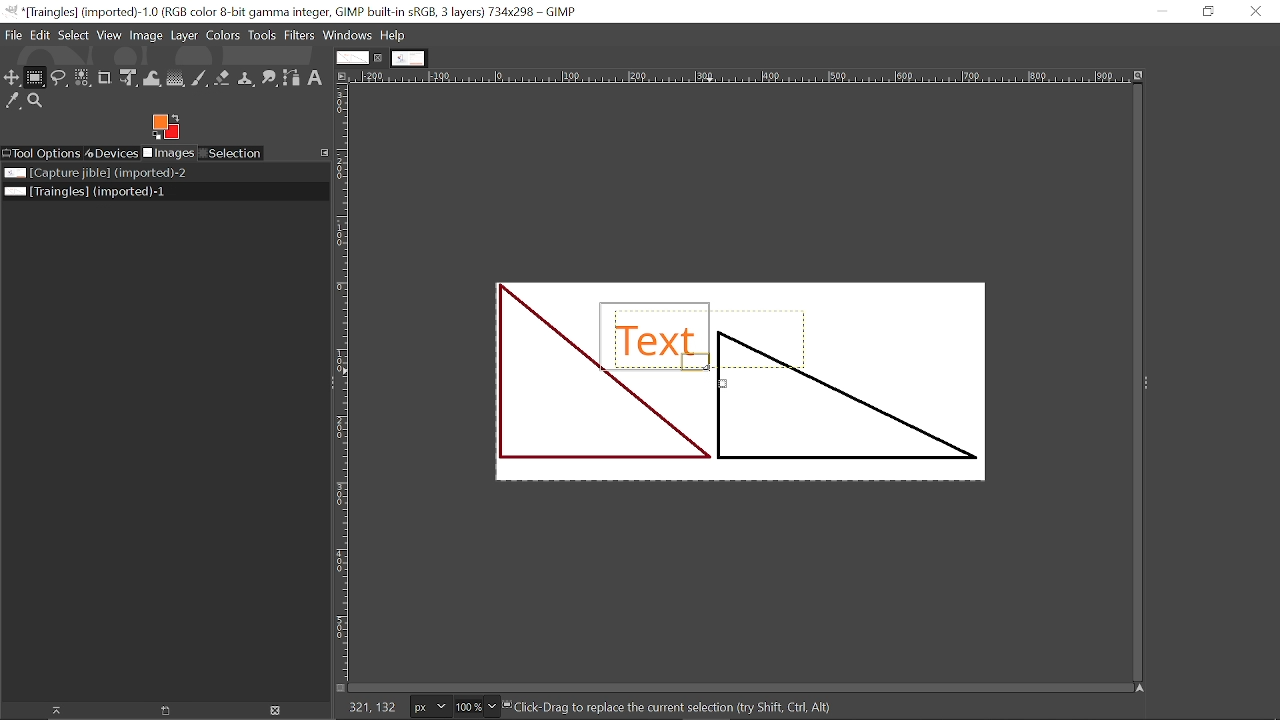  I want to click on Selection, so click(232, 153).